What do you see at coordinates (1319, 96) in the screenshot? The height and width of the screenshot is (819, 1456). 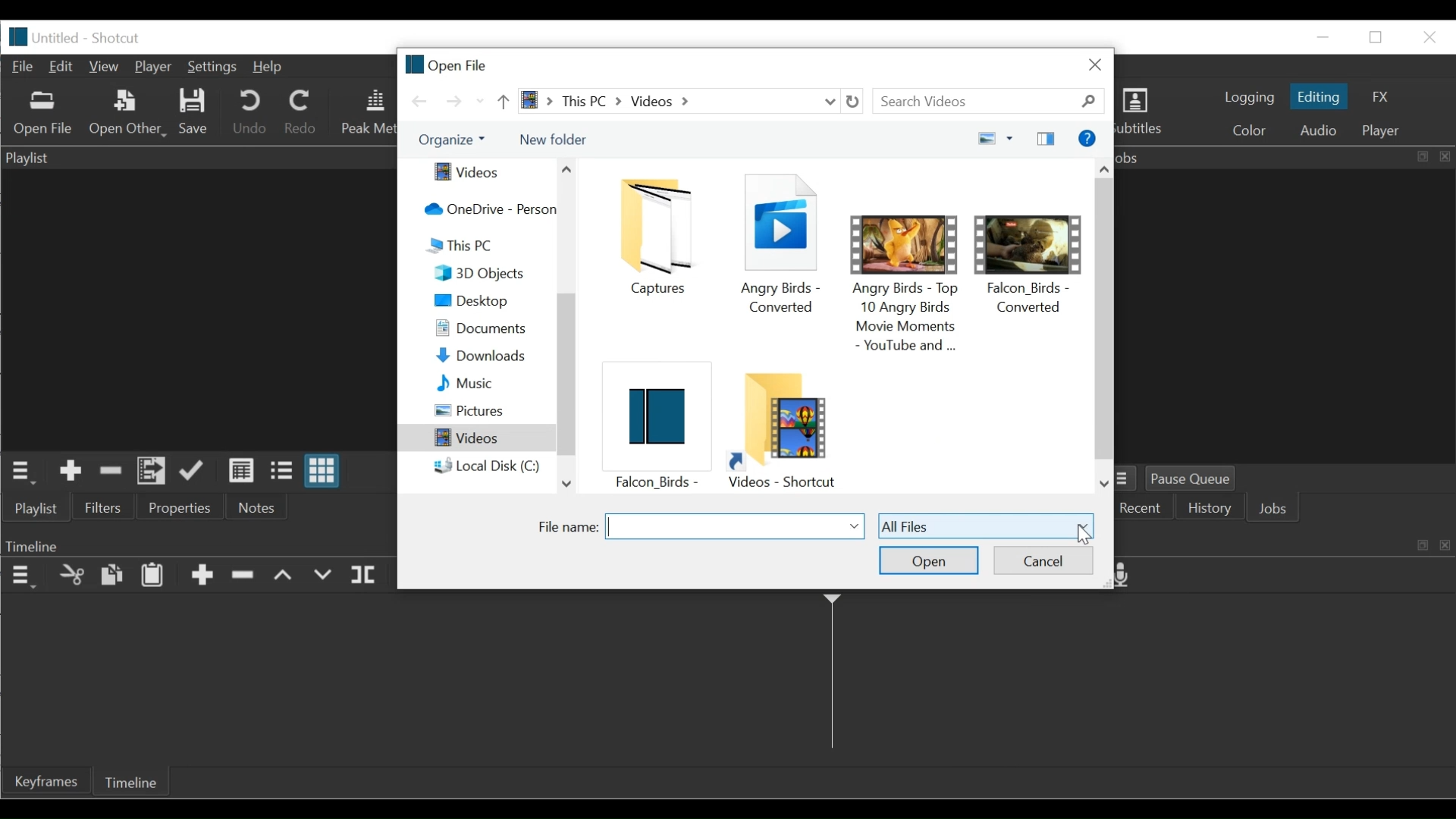 I see `Editing` at bounding box center [1319, 96].